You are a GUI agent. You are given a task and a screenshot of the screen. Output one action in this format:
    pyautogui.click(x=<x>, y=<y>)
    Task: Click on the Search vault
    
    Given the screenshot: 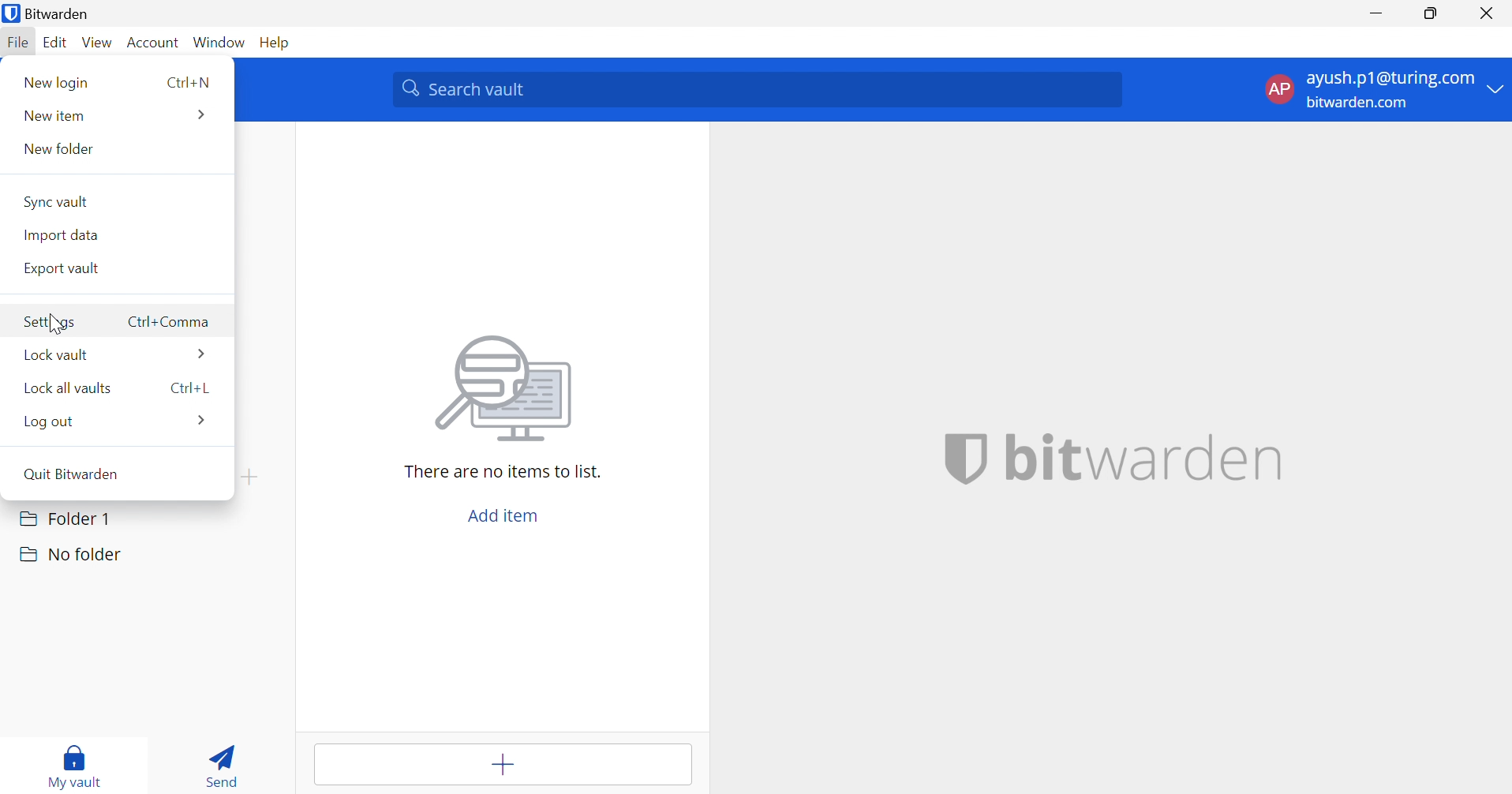 What is the action you would take?
    pyautogui.click(x=758, y=90)
    